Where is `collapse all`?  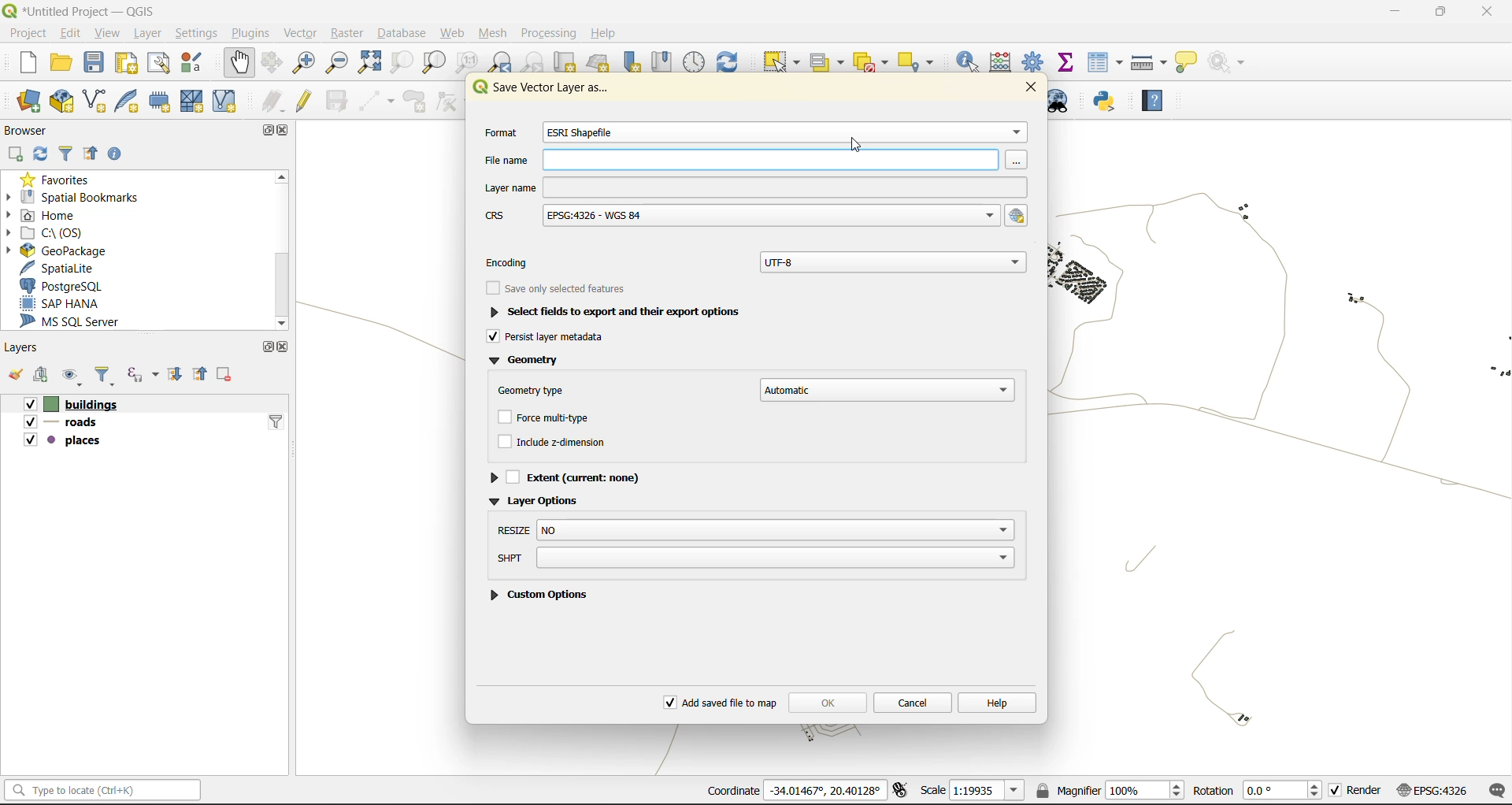 collapse all is located at coordinates (203, 374).